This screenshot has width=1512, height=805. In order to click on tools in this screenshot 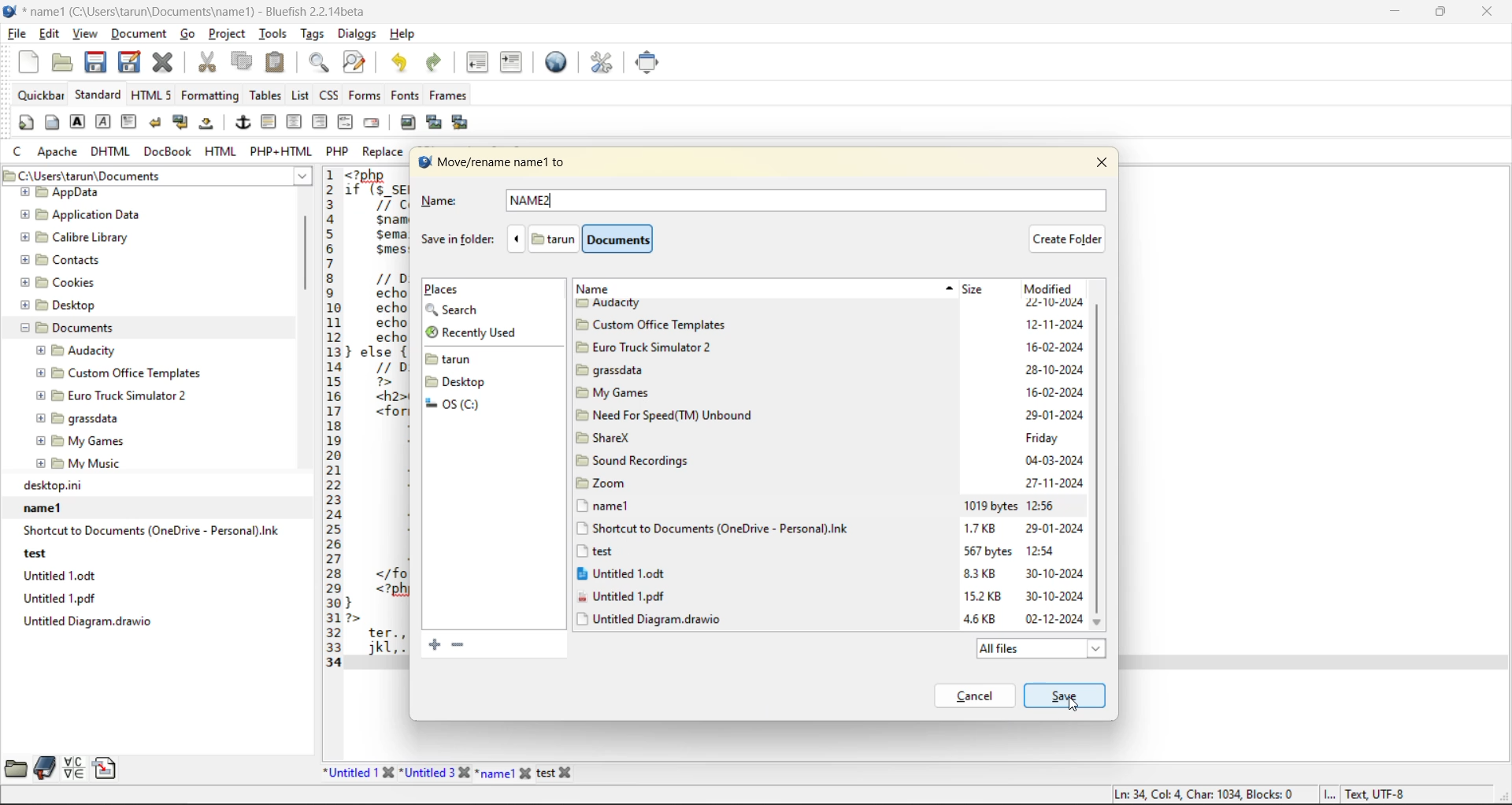, I will do `click(274, 34)`.